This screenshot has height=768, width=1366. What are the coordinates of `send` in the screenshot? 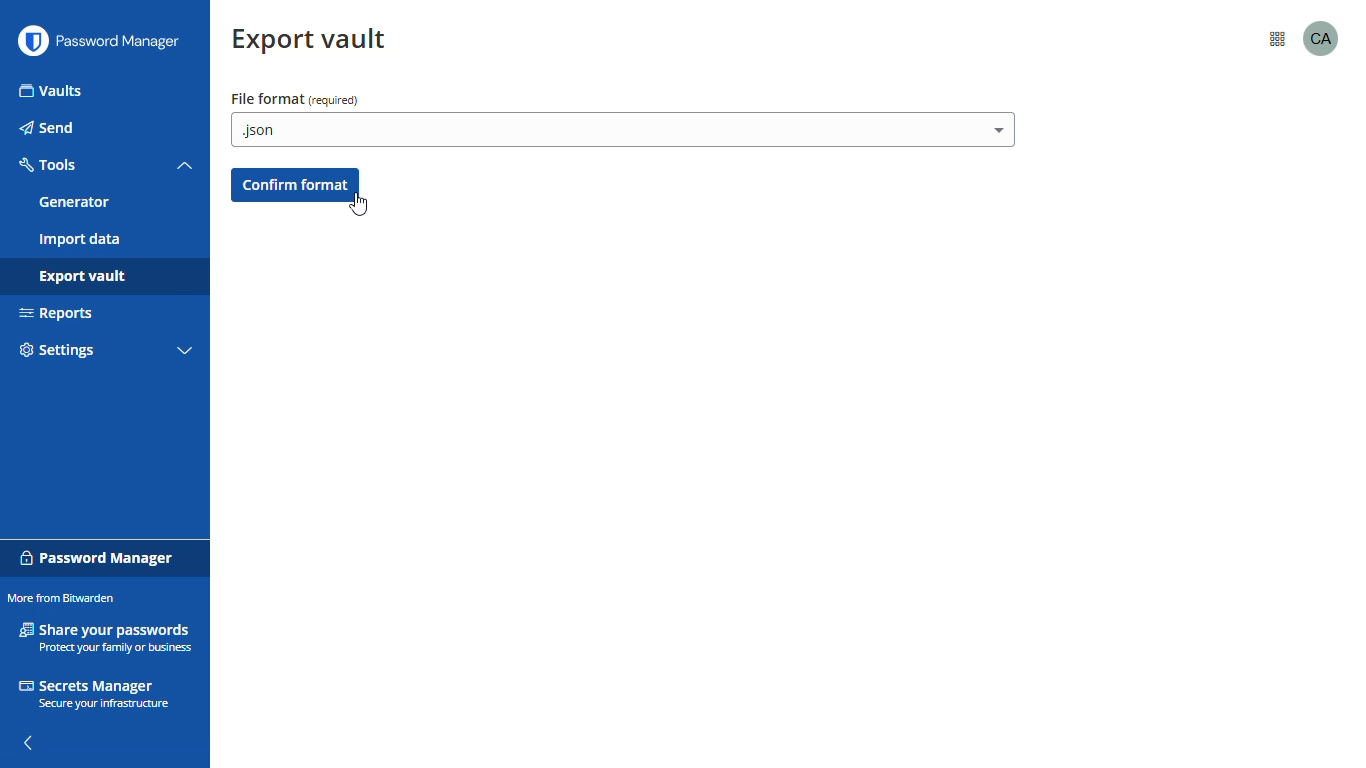 It's located at (47, 128).